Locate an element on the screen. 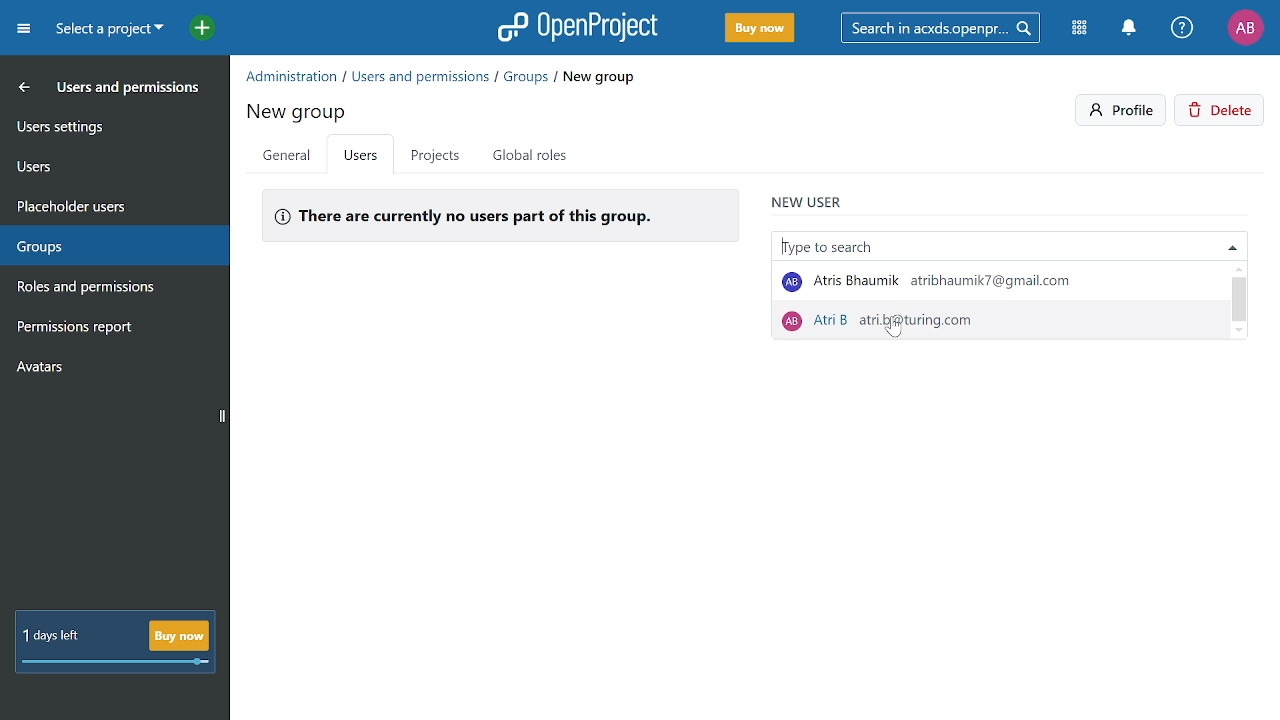  Avatars is located at coordinates (111, 371).